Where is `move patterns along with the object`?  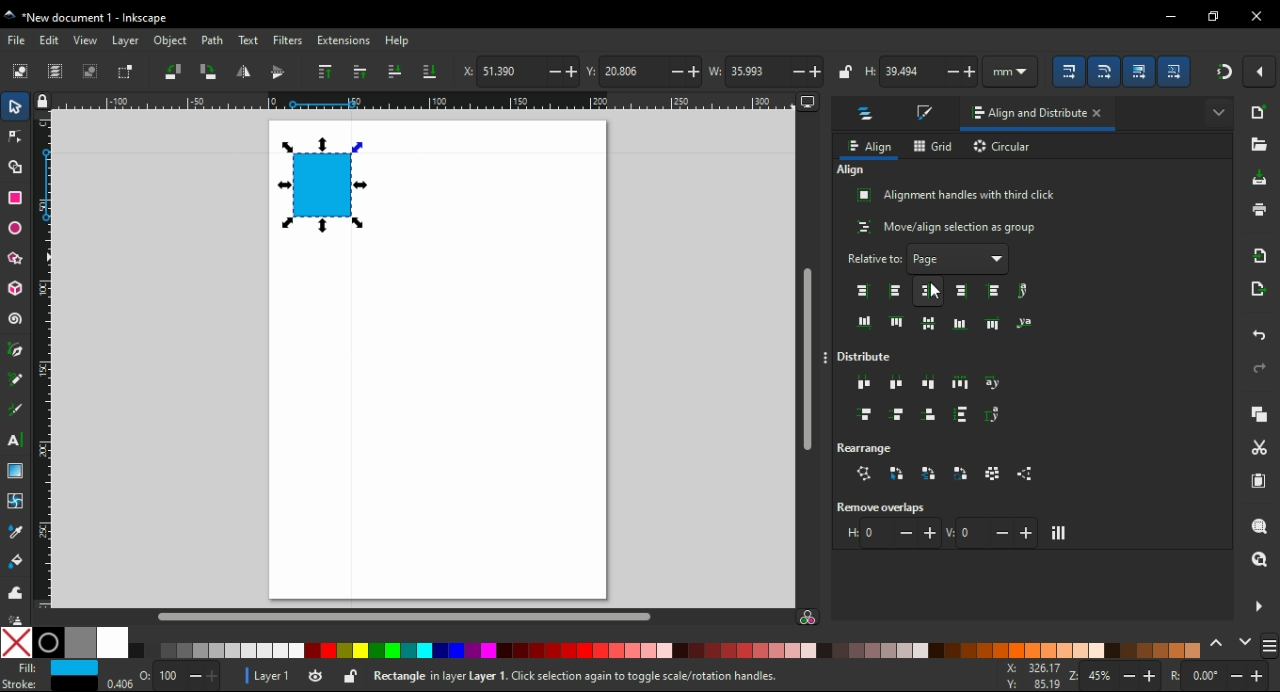
move patterns along with the object is located at coordinates (1176, 70).